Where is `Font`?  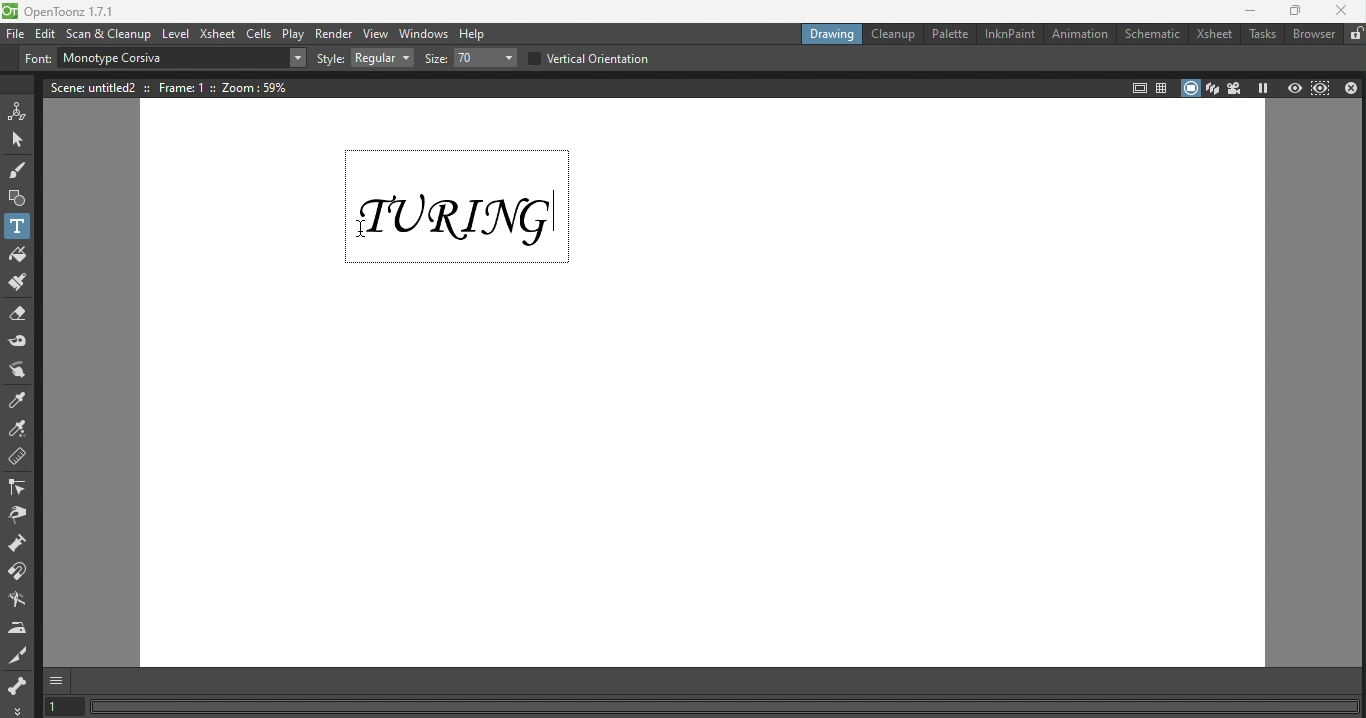 Font is located at coordinates (35, 58).